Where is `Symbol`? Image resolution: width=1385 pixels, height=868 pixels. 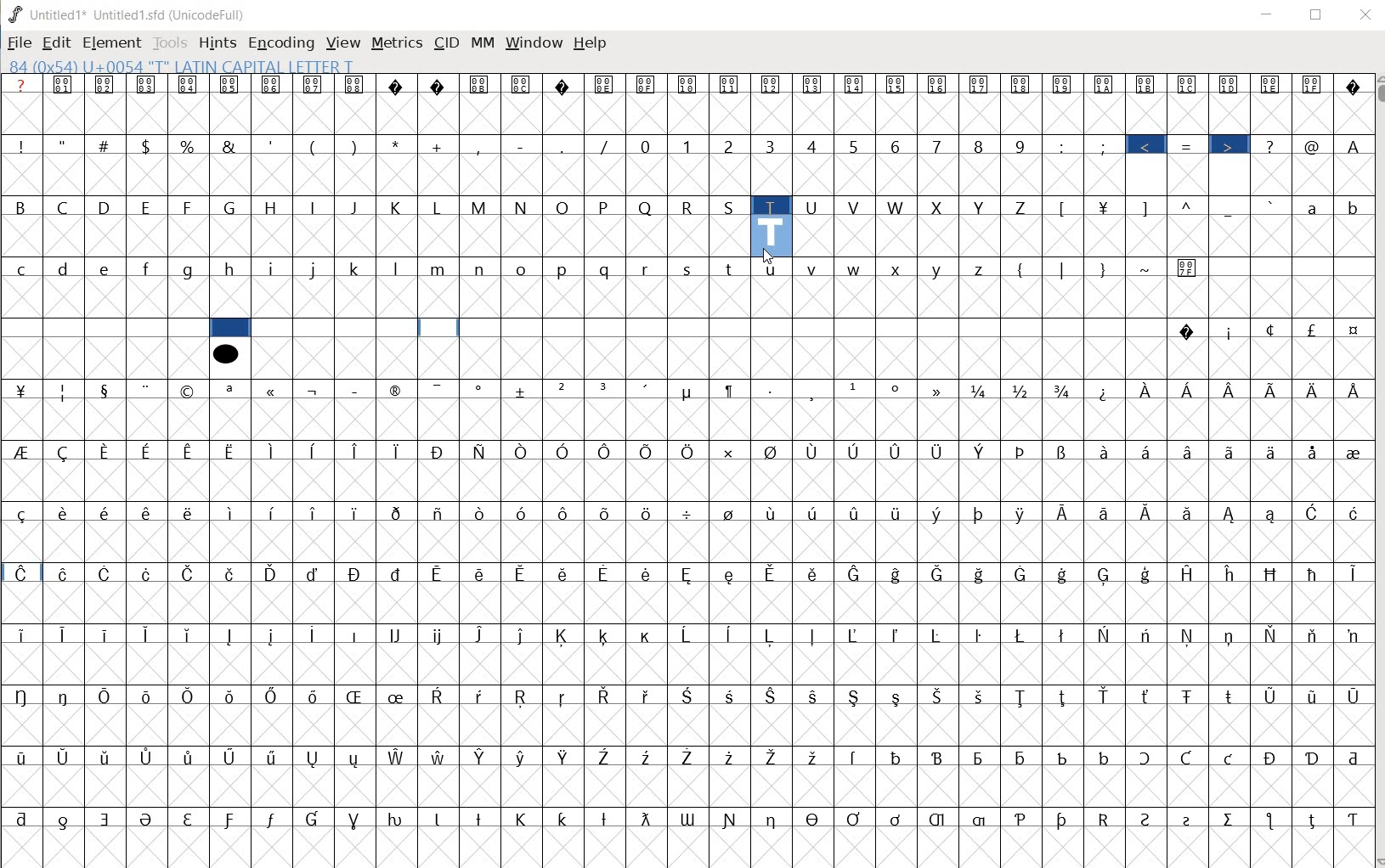 Symbol is located at coordinates (565, 451).